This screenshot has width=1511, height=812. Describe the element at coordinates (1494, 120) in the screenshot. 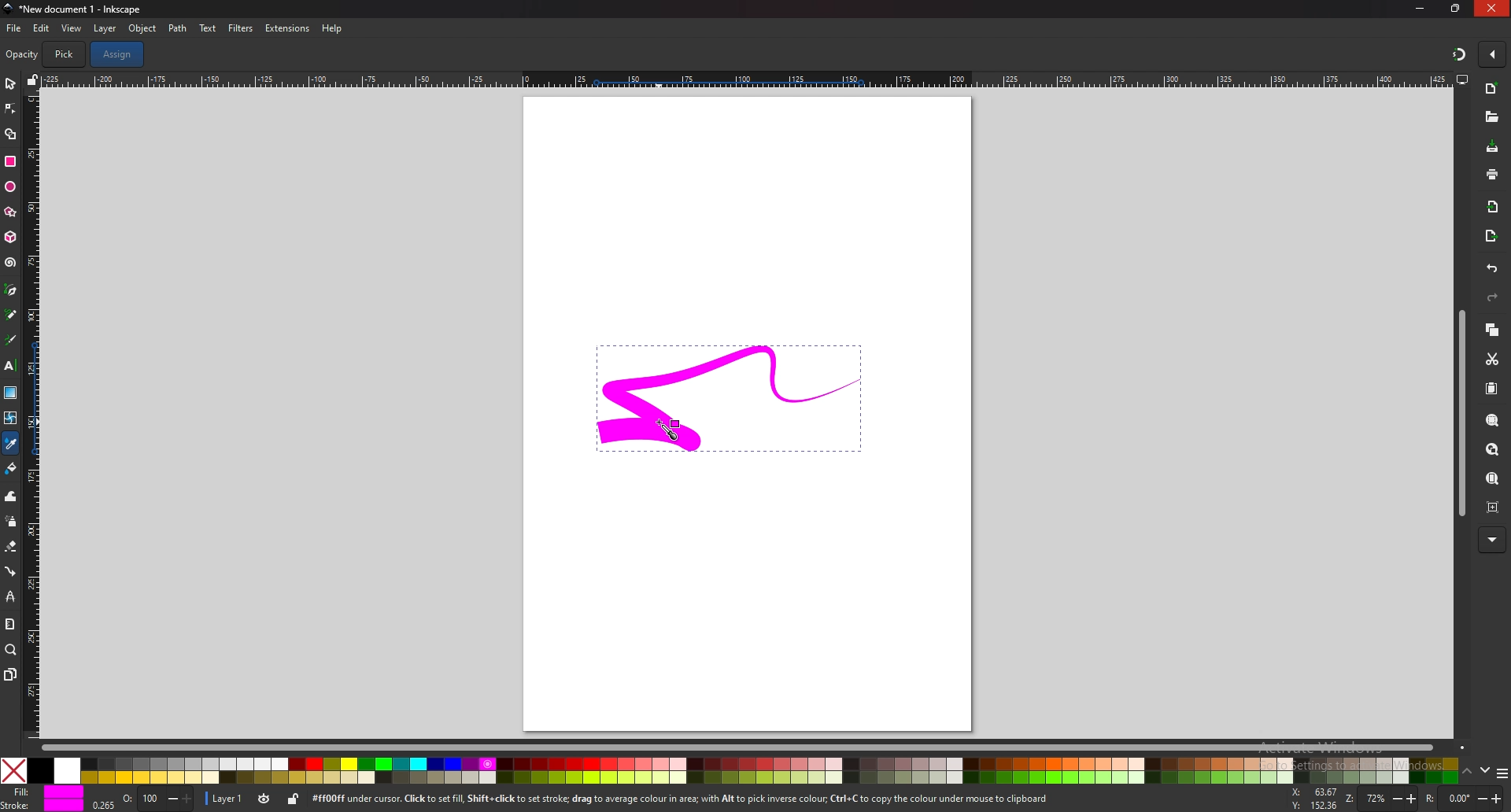

I see `open` at that location.